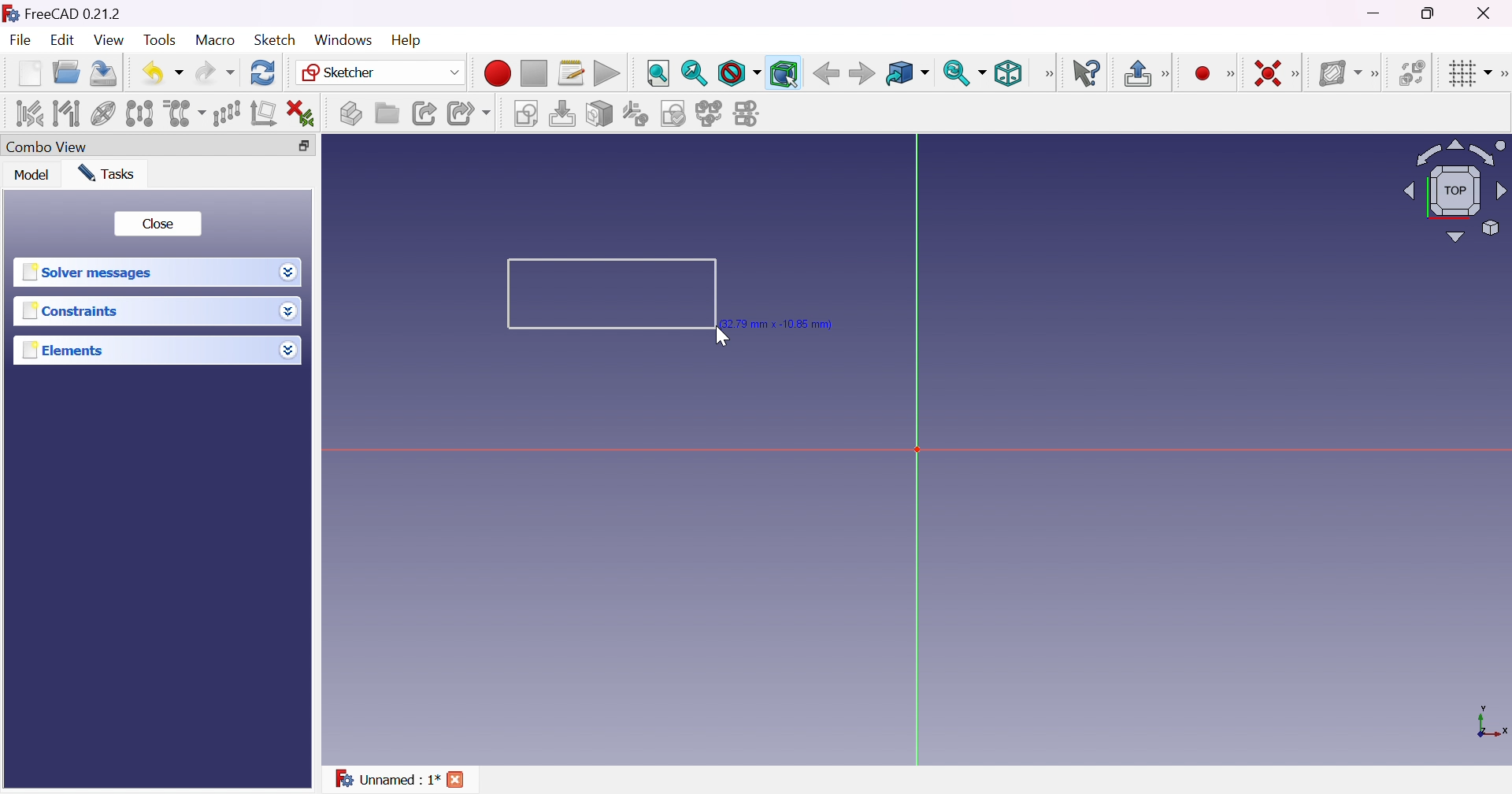 The image size is (1512, 794). I want to click on Viewing angle, so click(1455, 191).